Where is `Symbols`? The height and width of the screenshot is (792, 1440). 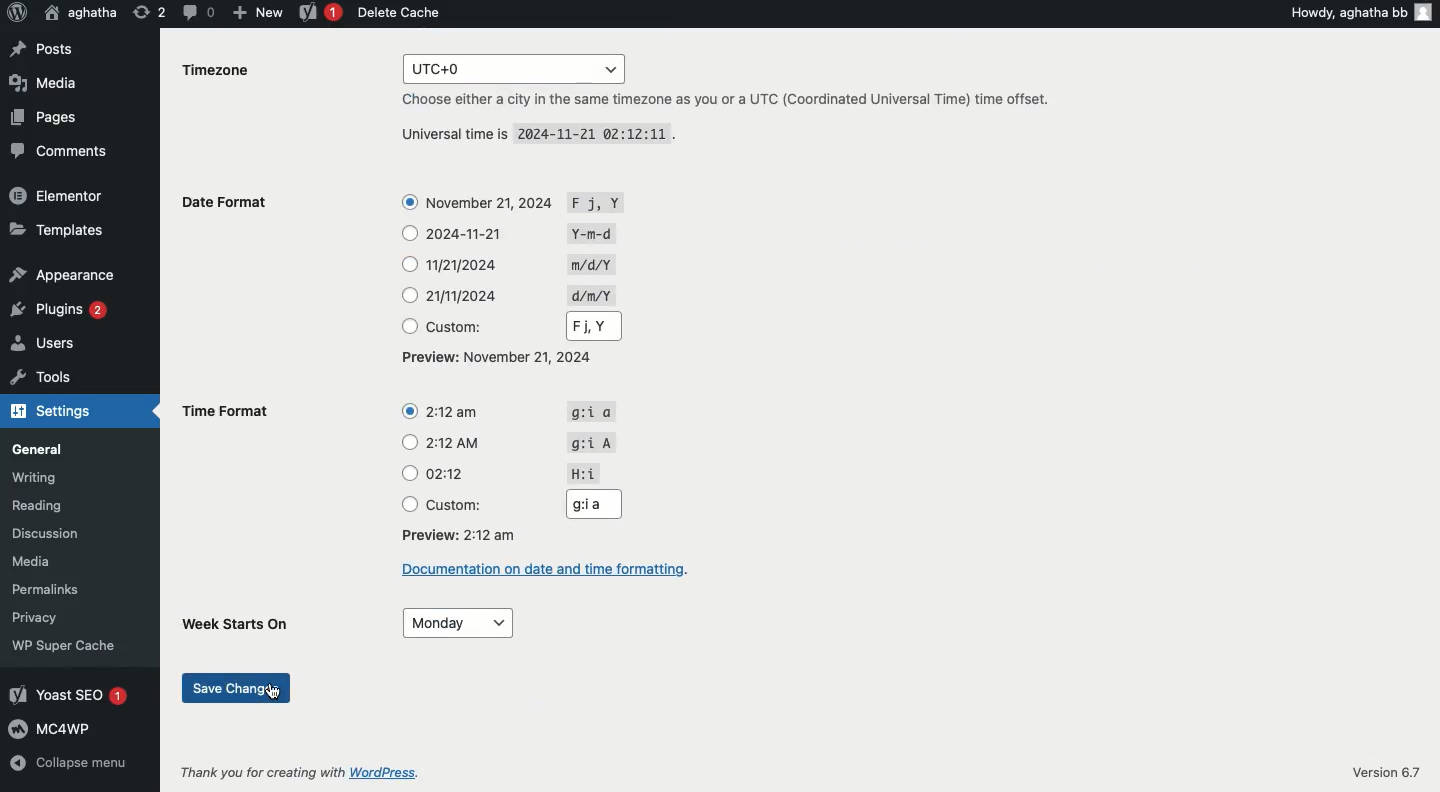 Symbols is located at coordinates (593, 458).